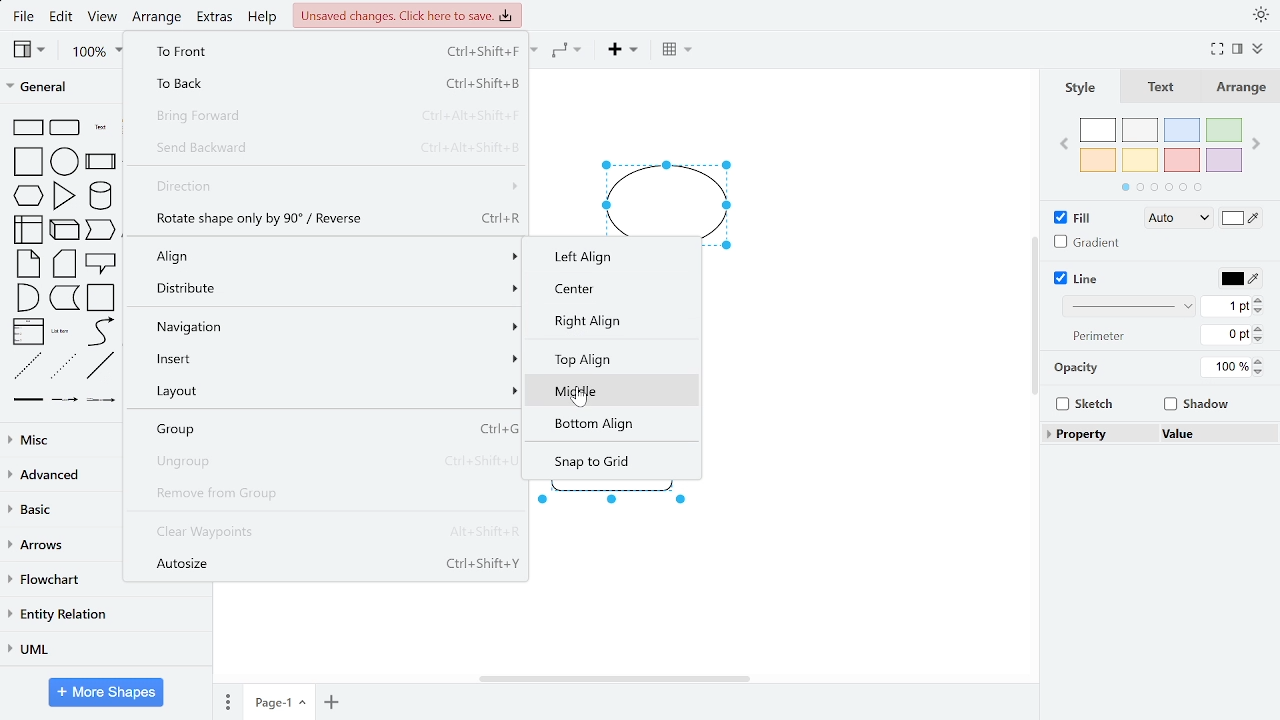  What do you see at coordinates (64, 299) in the screenshot?
I see `step` at bounding box center [64, 299].